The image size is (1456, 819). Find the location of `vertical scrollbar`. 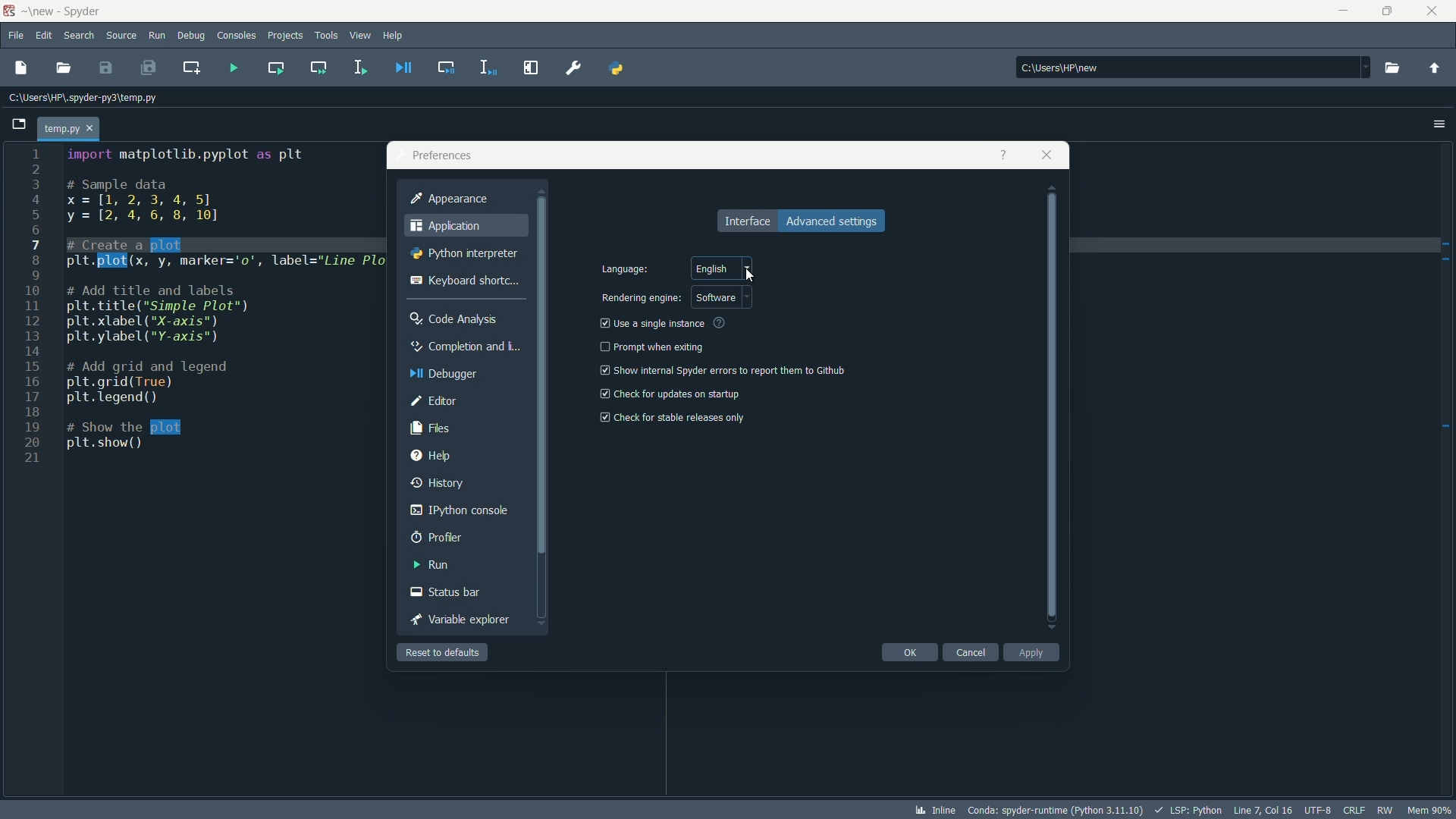

vertical scrollbar is located at coordinates (1053, 406).